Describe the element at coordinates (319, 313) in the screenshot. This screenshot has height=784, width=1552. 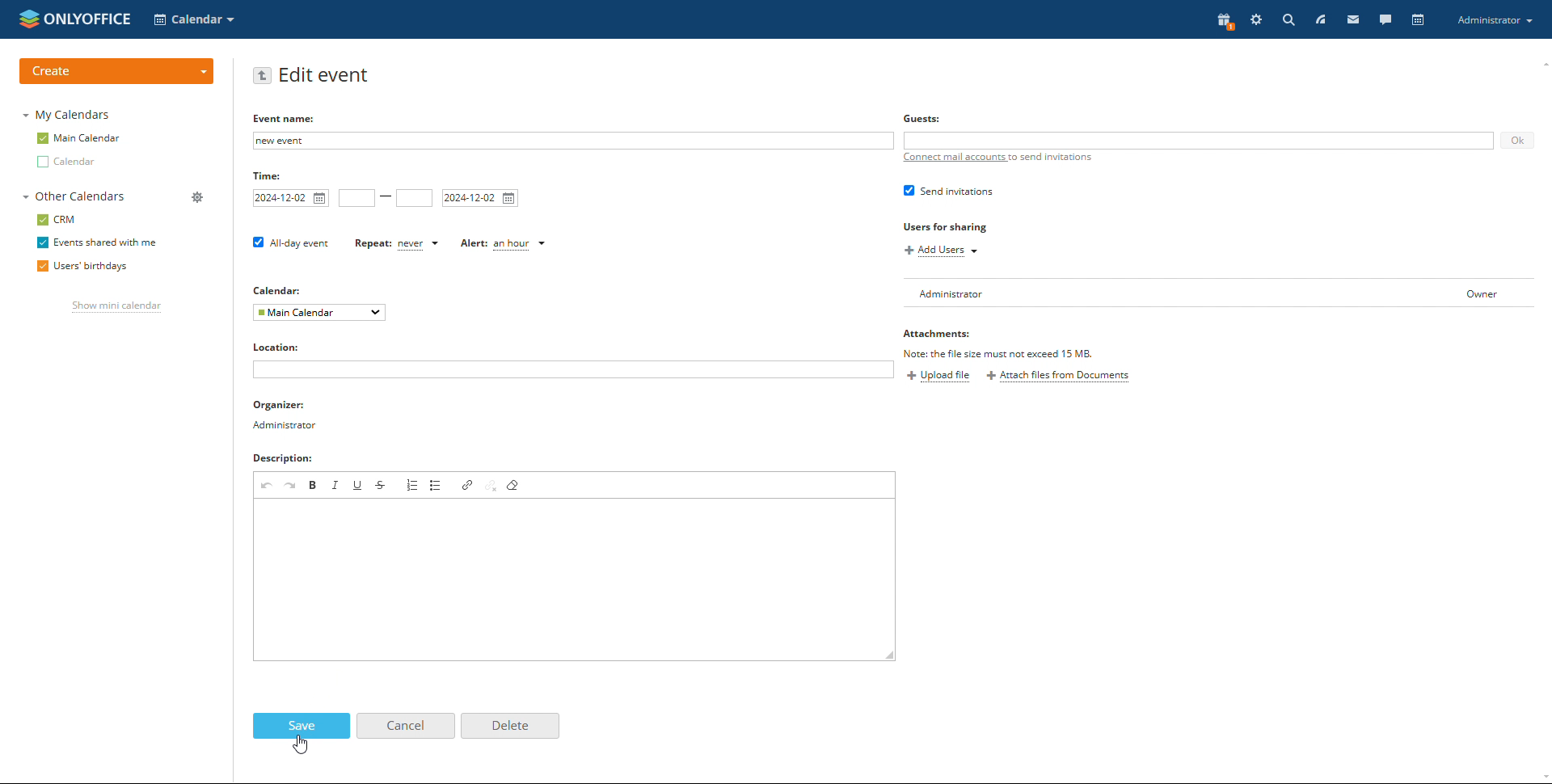
I see `select calendar` at that location.